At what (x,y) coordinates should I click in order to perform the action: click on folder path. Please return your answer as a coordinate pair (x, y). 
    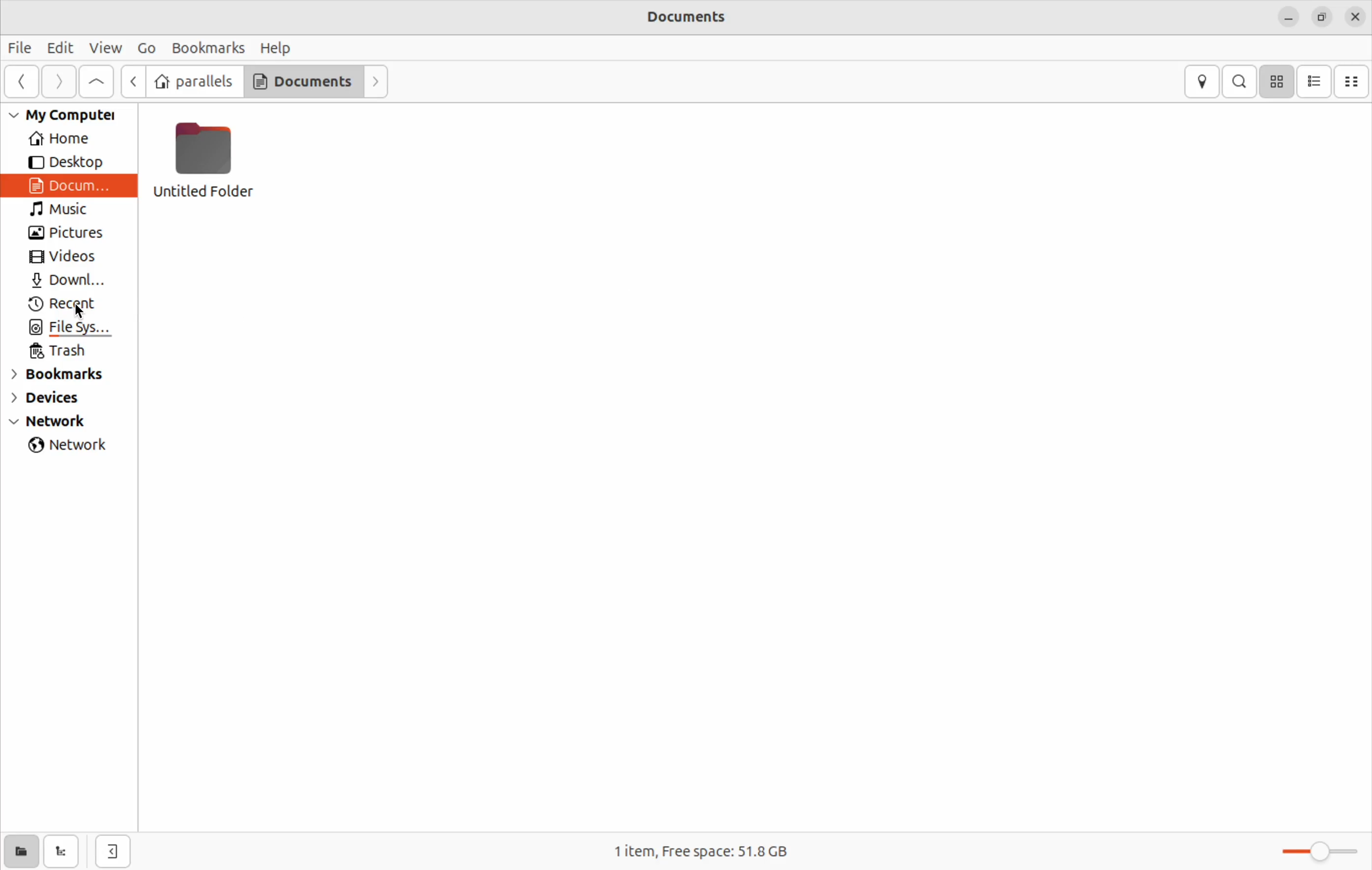
    Looking at the image, I should click on (258, 81).